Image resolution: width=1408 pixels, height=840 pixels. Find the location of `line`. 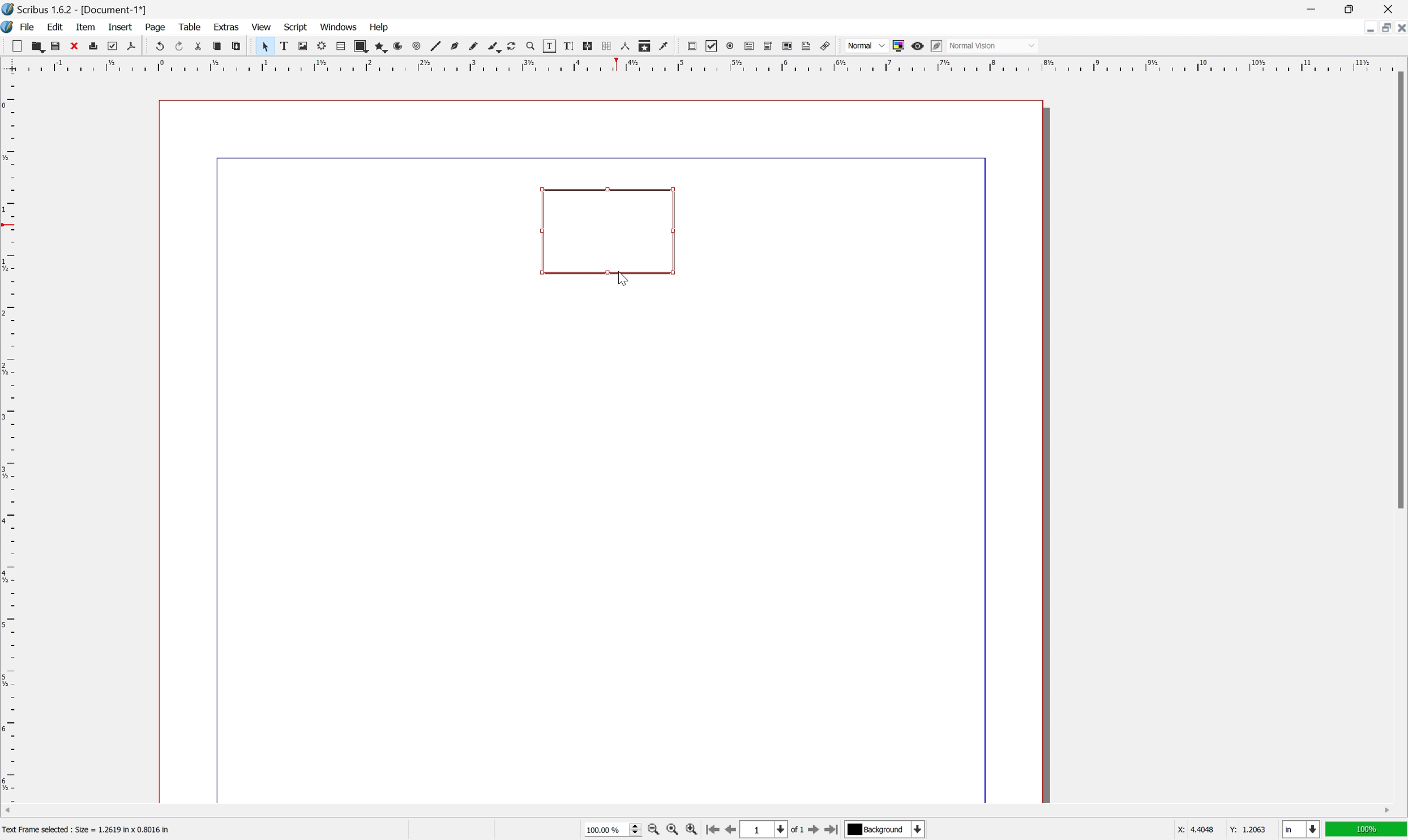

line is located at coordinates (435, 46).